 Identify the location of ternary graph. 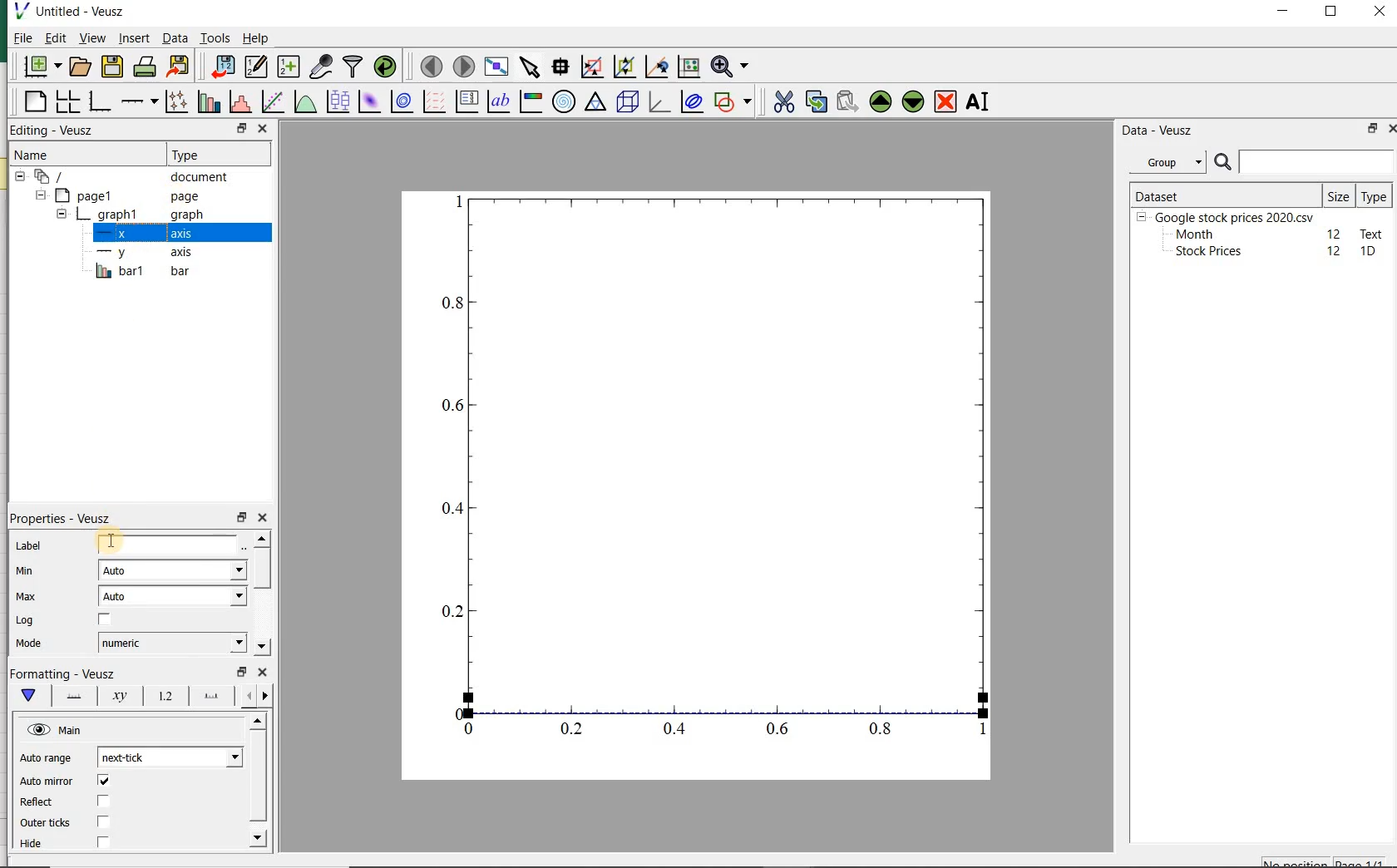
(595, 103).